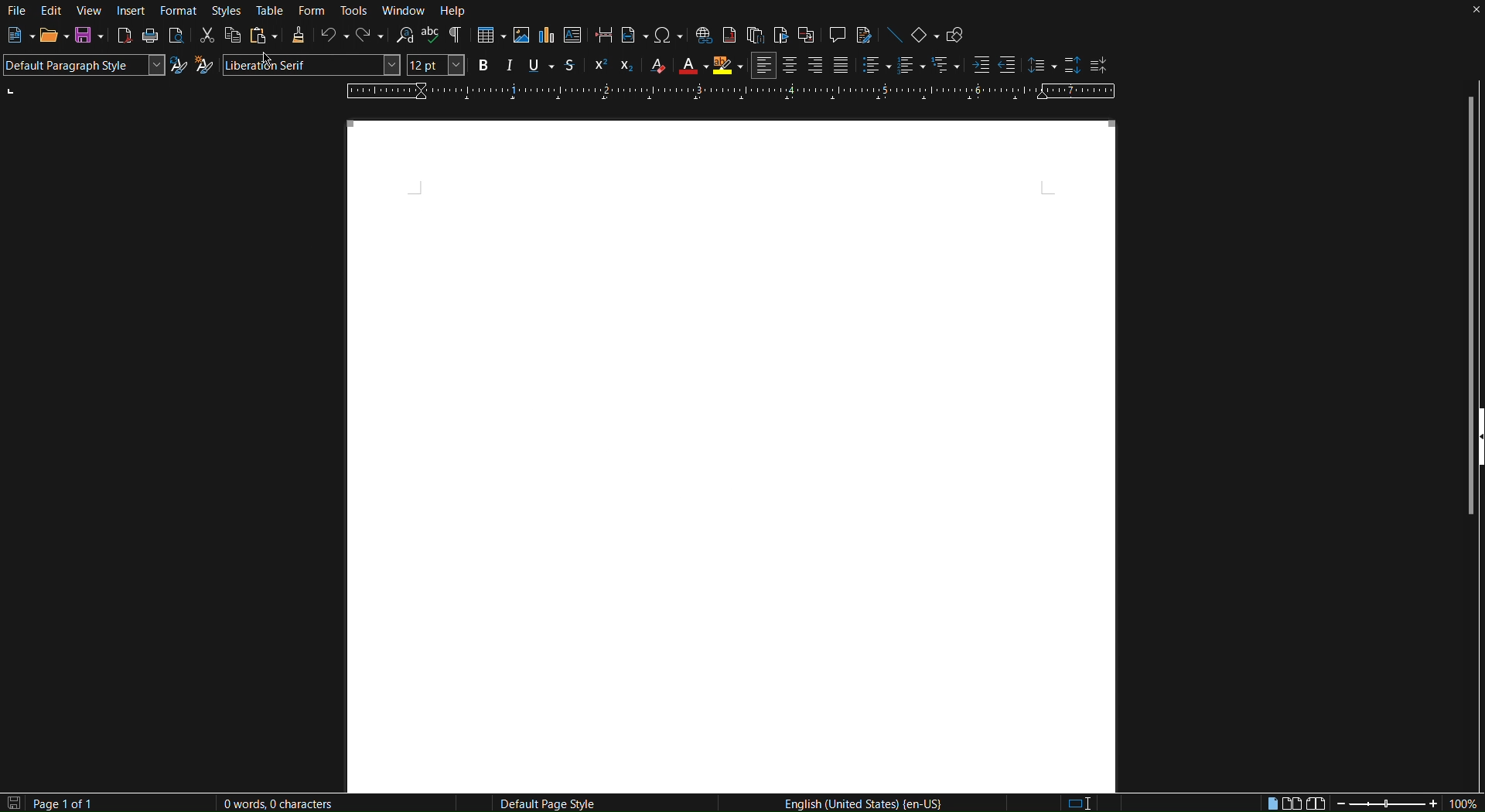  I want to click on Book view, so click(1315, 801).